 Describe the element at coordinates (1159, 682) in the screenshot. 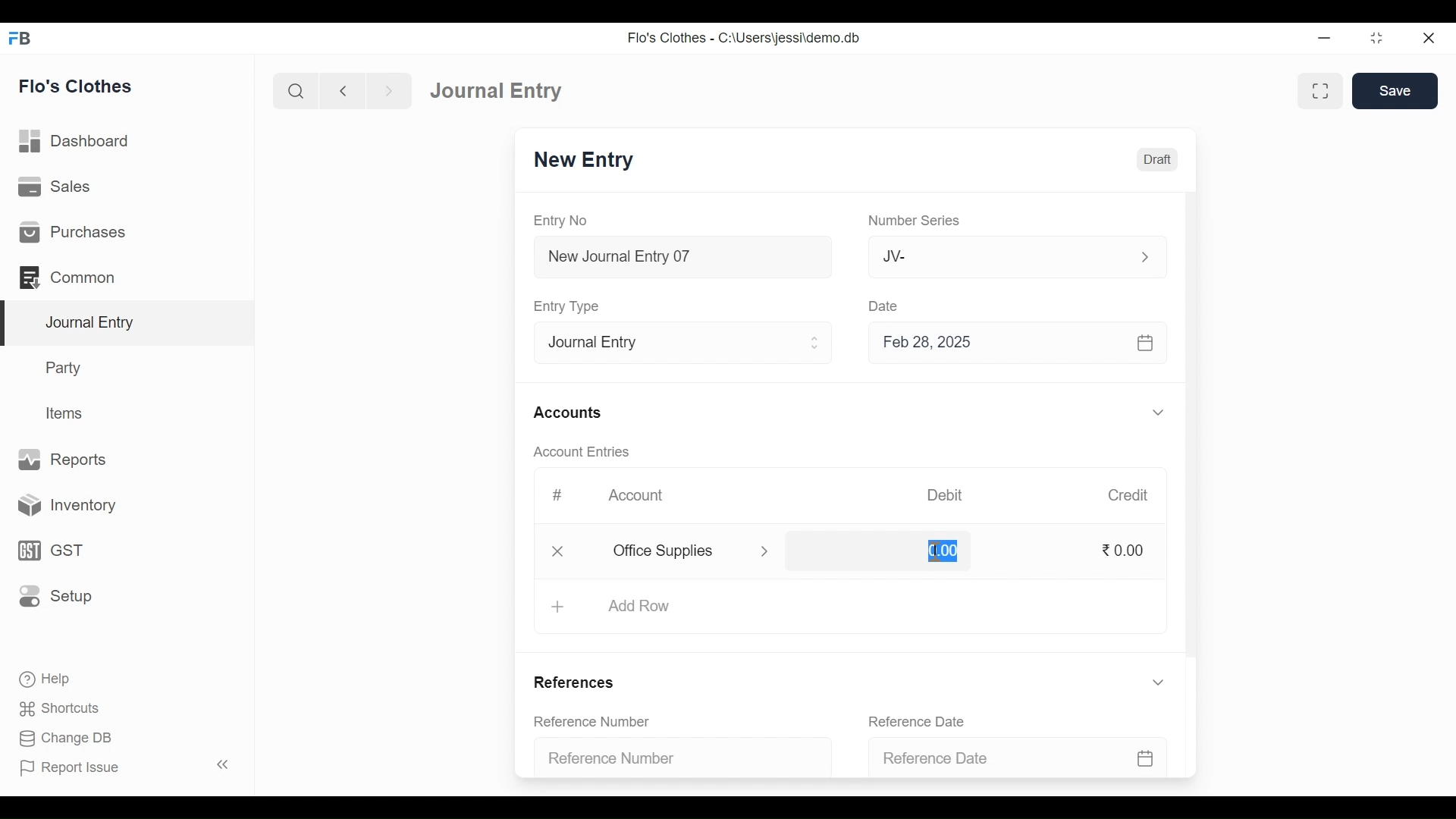

I see `Expand` at that location.